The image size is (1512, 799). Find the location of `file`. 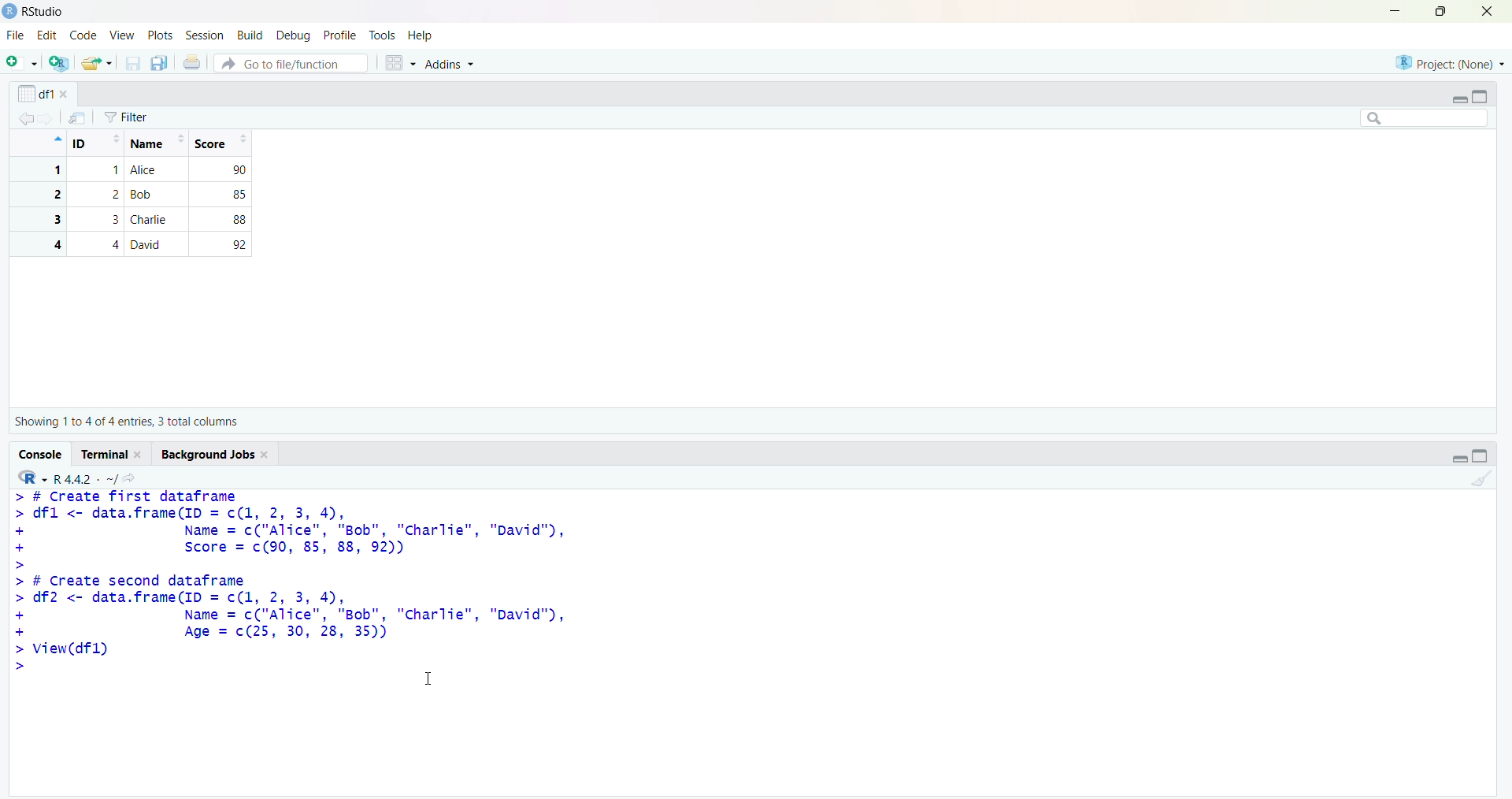

file is located at coordinates (17, 35).